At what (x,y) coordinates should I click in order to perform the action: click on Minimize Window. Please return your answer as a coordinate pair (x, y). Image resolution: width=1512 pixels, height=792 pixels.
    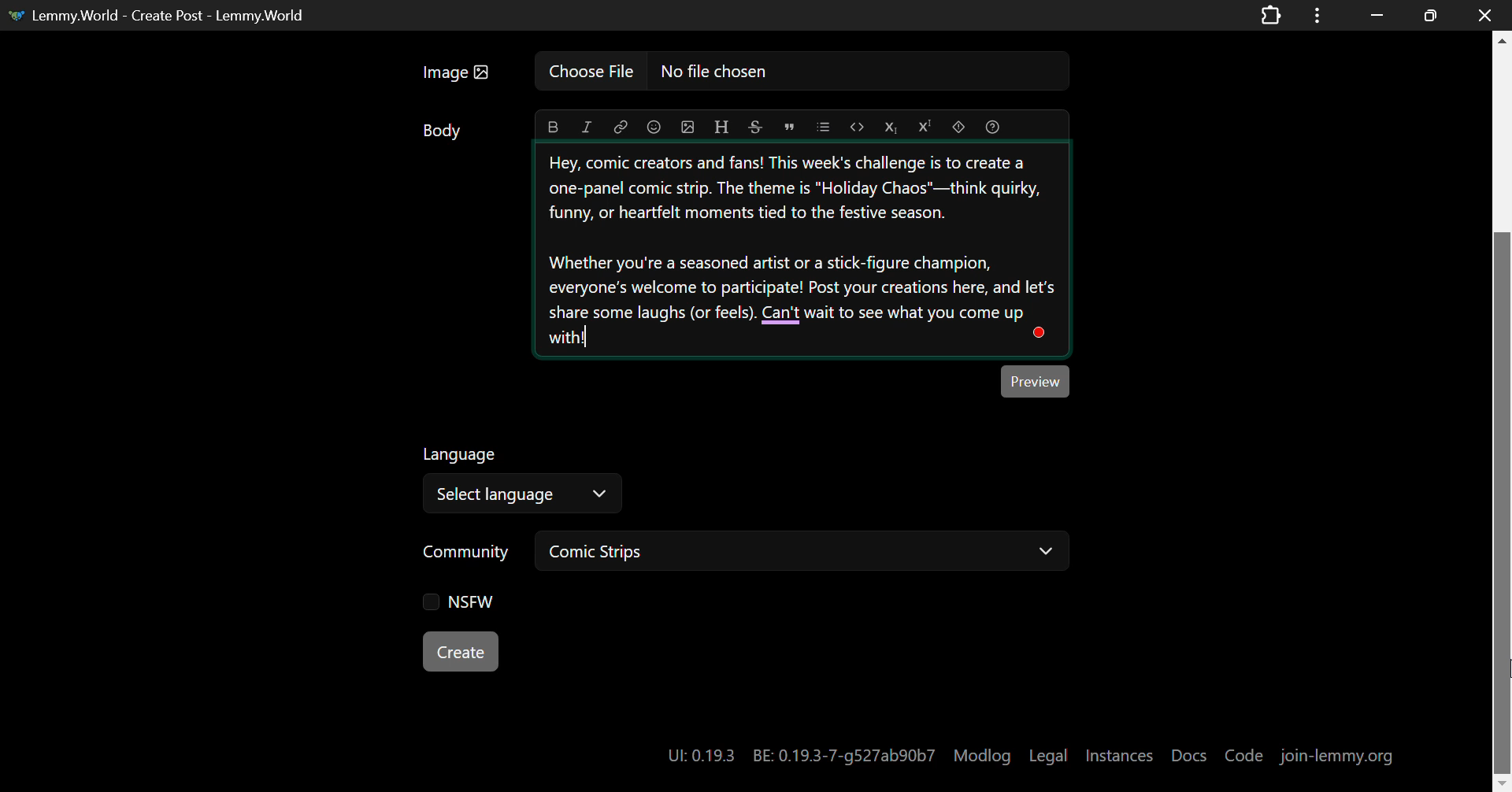
    Looking at the image, I should click on (1432, 15).